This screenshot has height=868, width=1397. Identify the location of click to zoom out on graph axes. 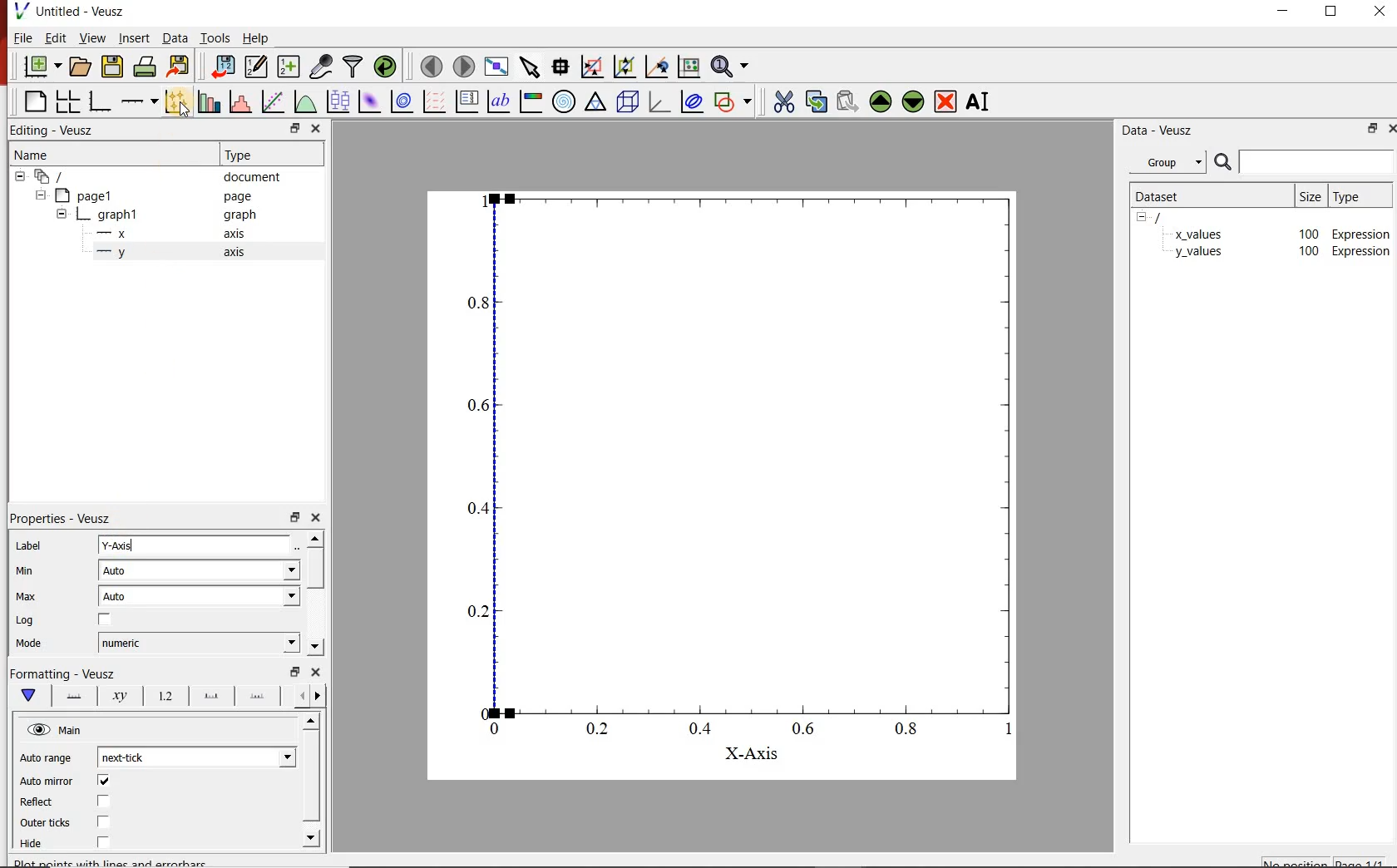
(622, 67).